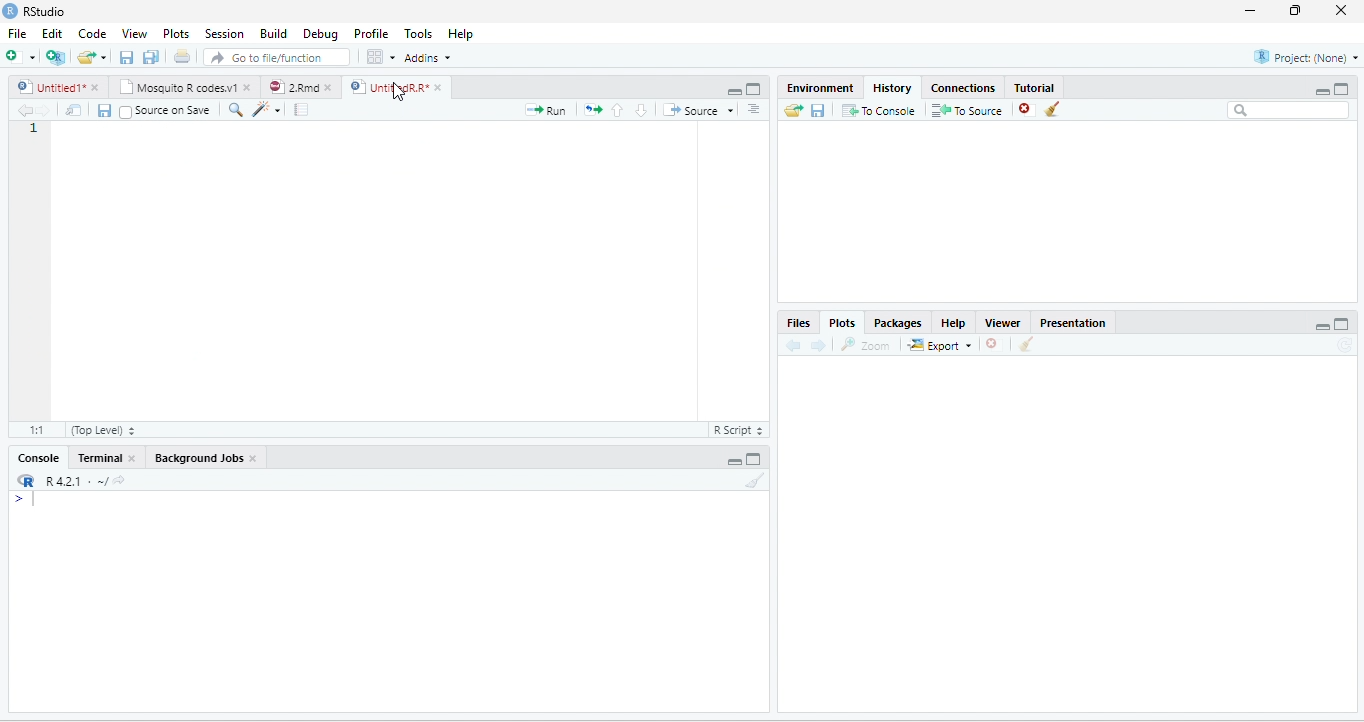 Image resolution: width=1364 pixels, height=722 pixels. What do you see at coordinates (964, 87) in the screenshot?
I see `Connections` at bounding box center [964, 87].